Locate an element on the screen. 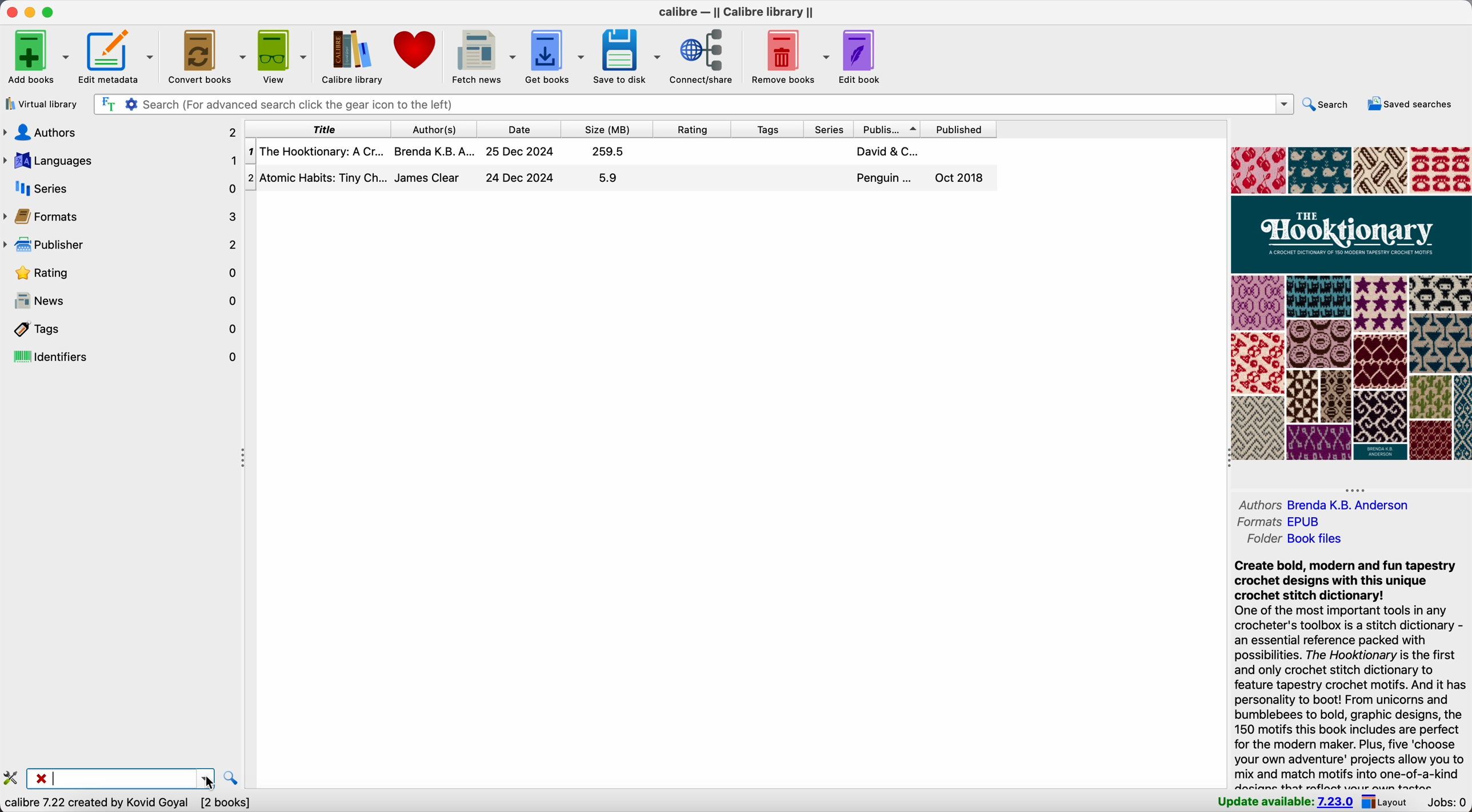  fetch news is located at coordinates (481, 58).